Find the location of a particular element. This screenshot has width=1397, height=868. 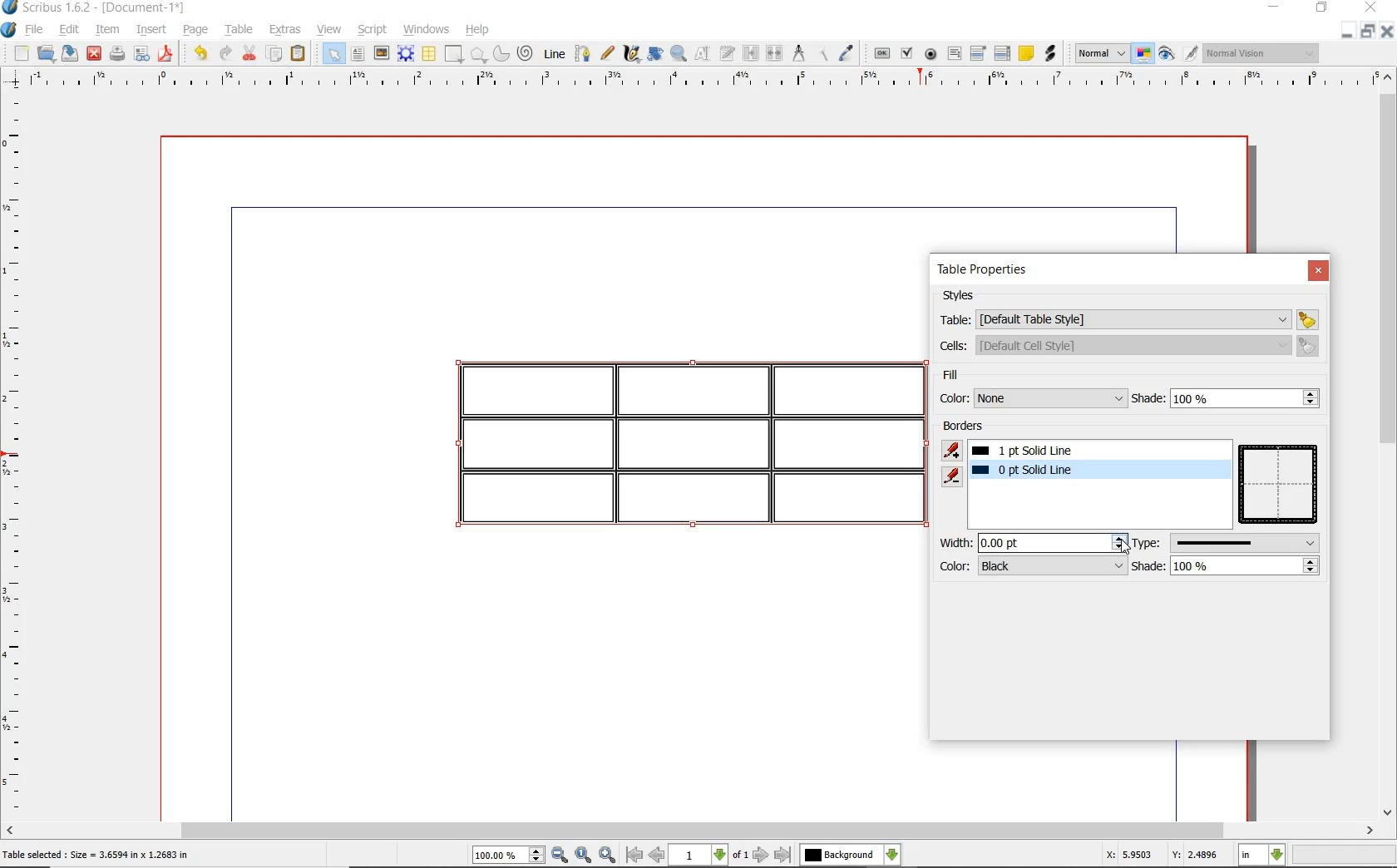

page is located at coordinates (196, 31).